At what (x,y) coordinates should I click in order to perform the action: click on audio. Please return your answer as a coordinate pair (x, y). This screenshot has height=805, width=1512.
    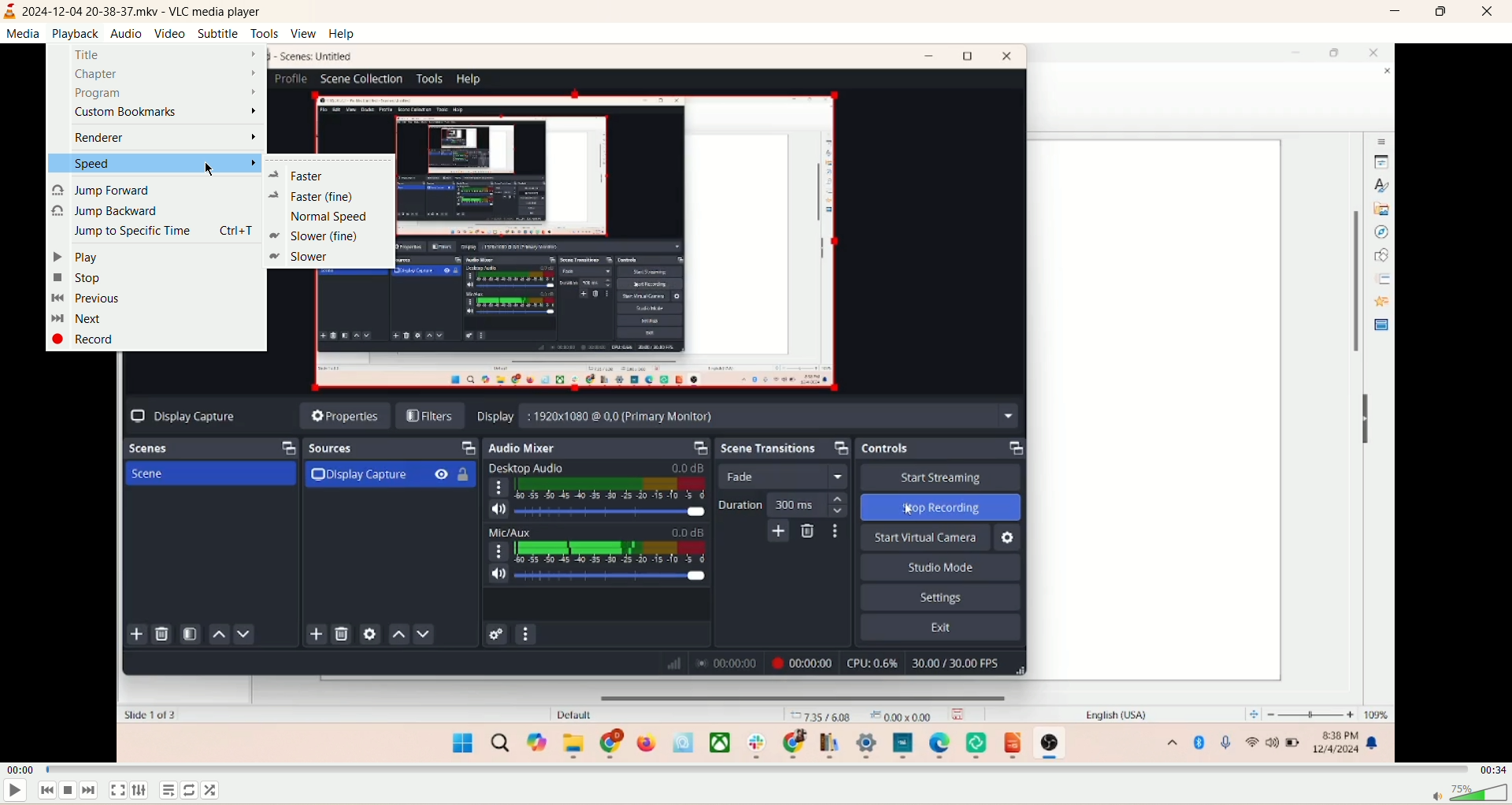
    Looking at the image, I should click on (126, 32).